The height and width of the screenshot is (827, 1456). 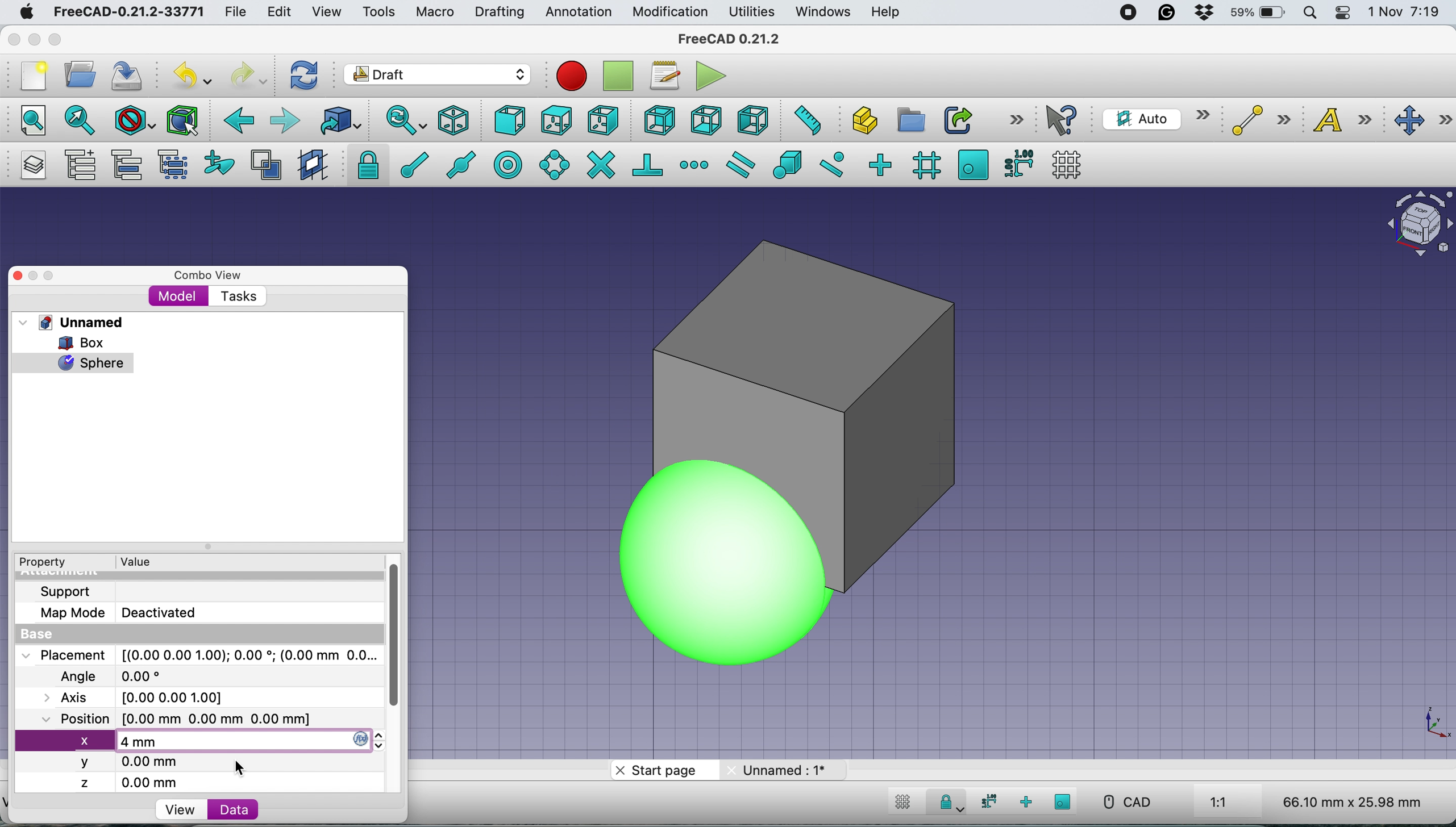 I want to click on annotation, so click(x=576, y=12).